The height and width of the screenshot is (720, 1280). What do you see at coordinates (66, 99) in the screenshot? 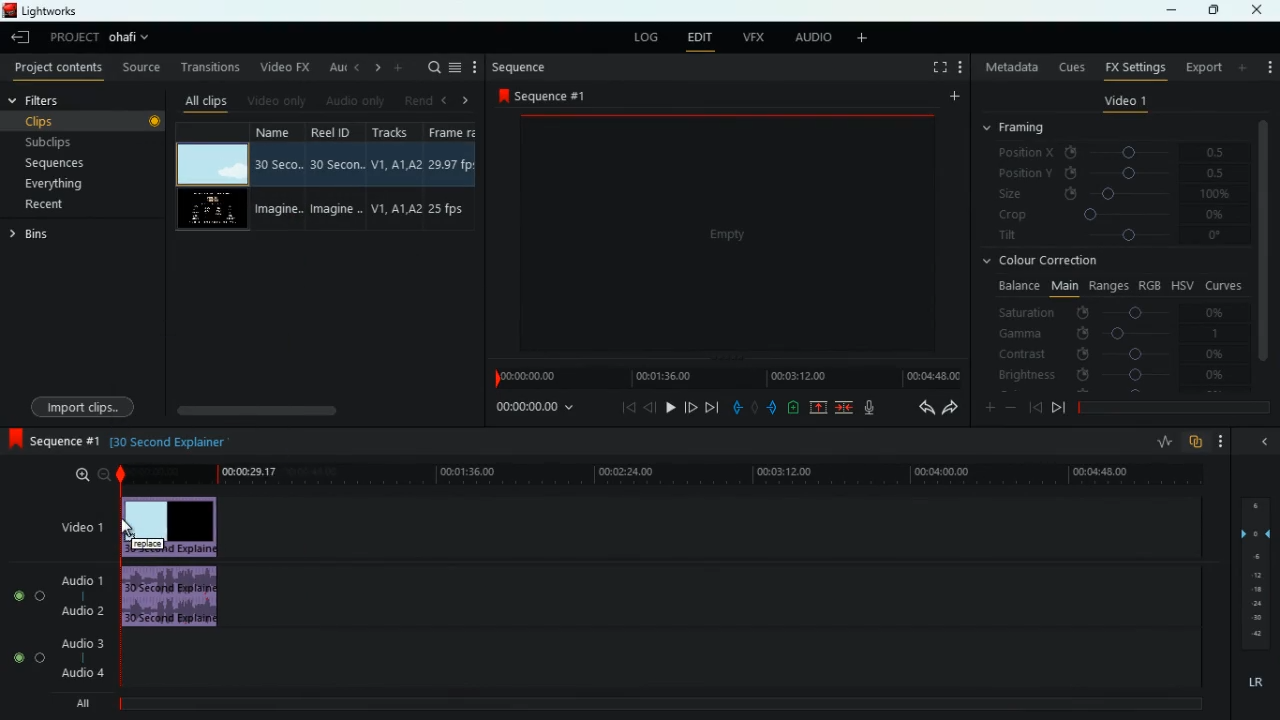
I see `filters` at bounding box center [66, 99].